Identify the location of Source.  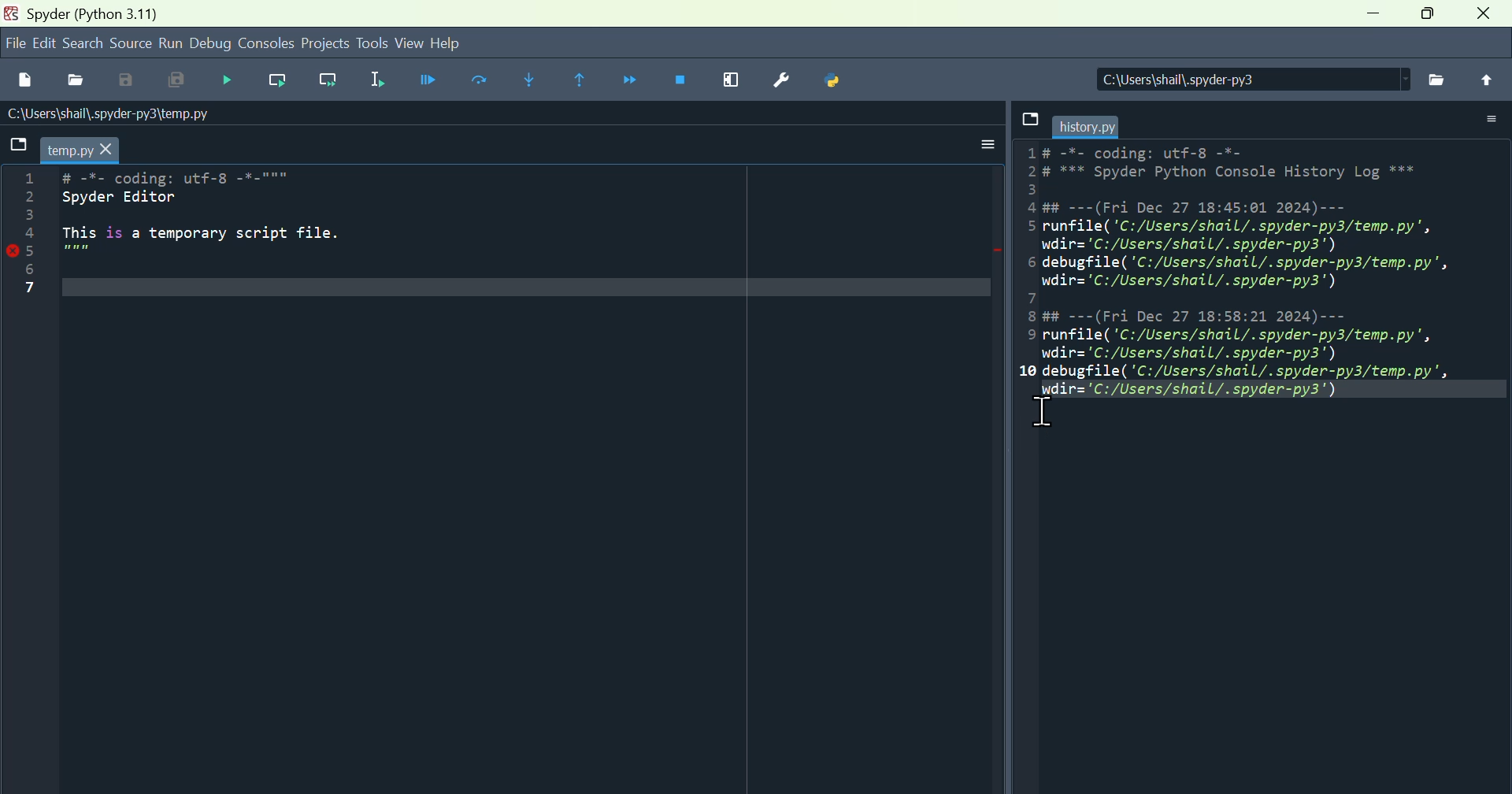
(132, 43).